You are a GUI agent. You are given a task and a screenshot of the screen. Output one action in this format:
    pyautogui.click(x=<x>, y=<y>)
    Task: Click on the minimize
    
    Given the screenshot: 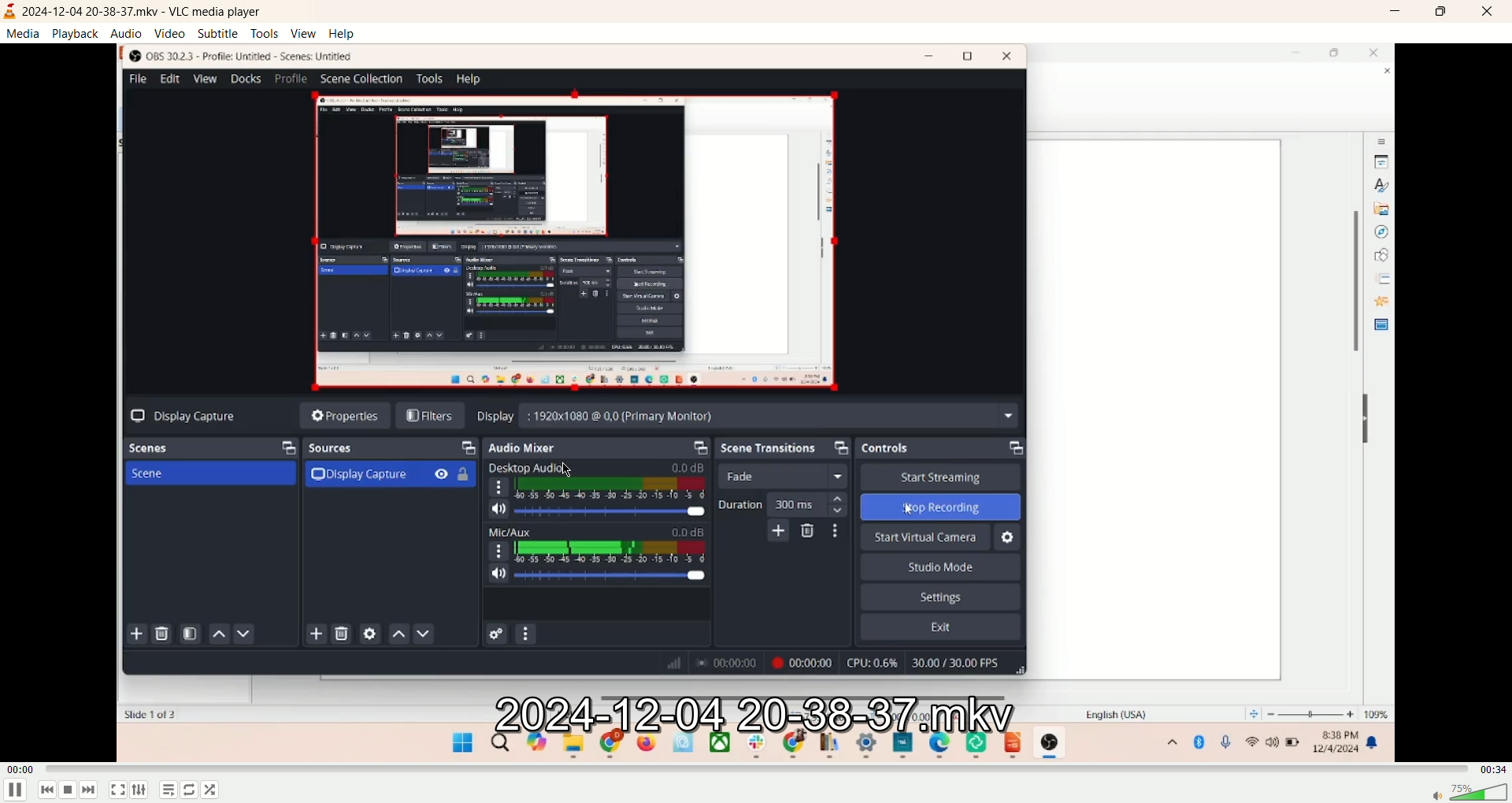 What is the action you would take?
    pyautogui.click(x=1396, y=11)
    